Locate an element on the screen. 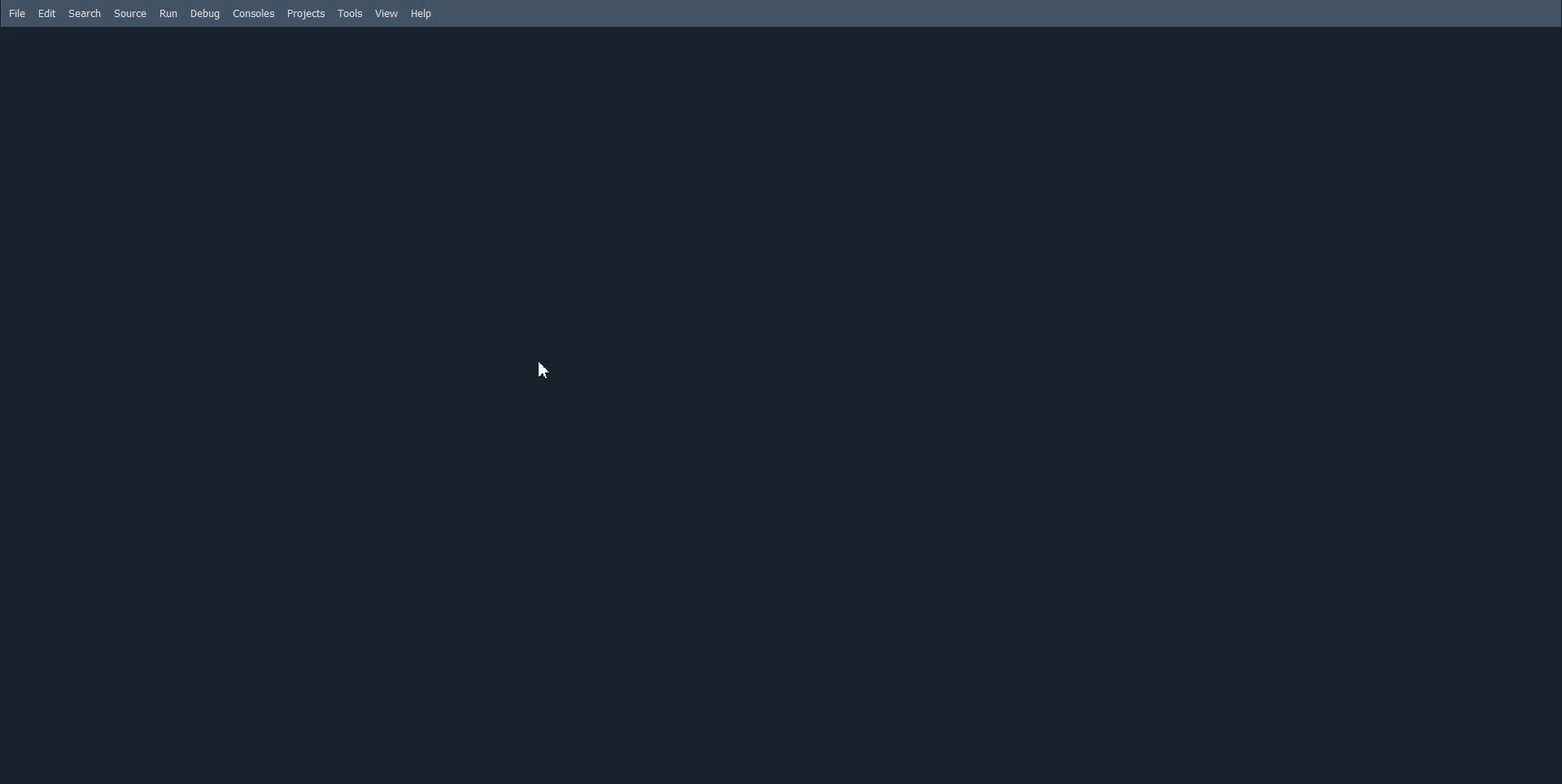 This screenshot has width=1562, height=784. Edit is located at coordinates (46, 14).